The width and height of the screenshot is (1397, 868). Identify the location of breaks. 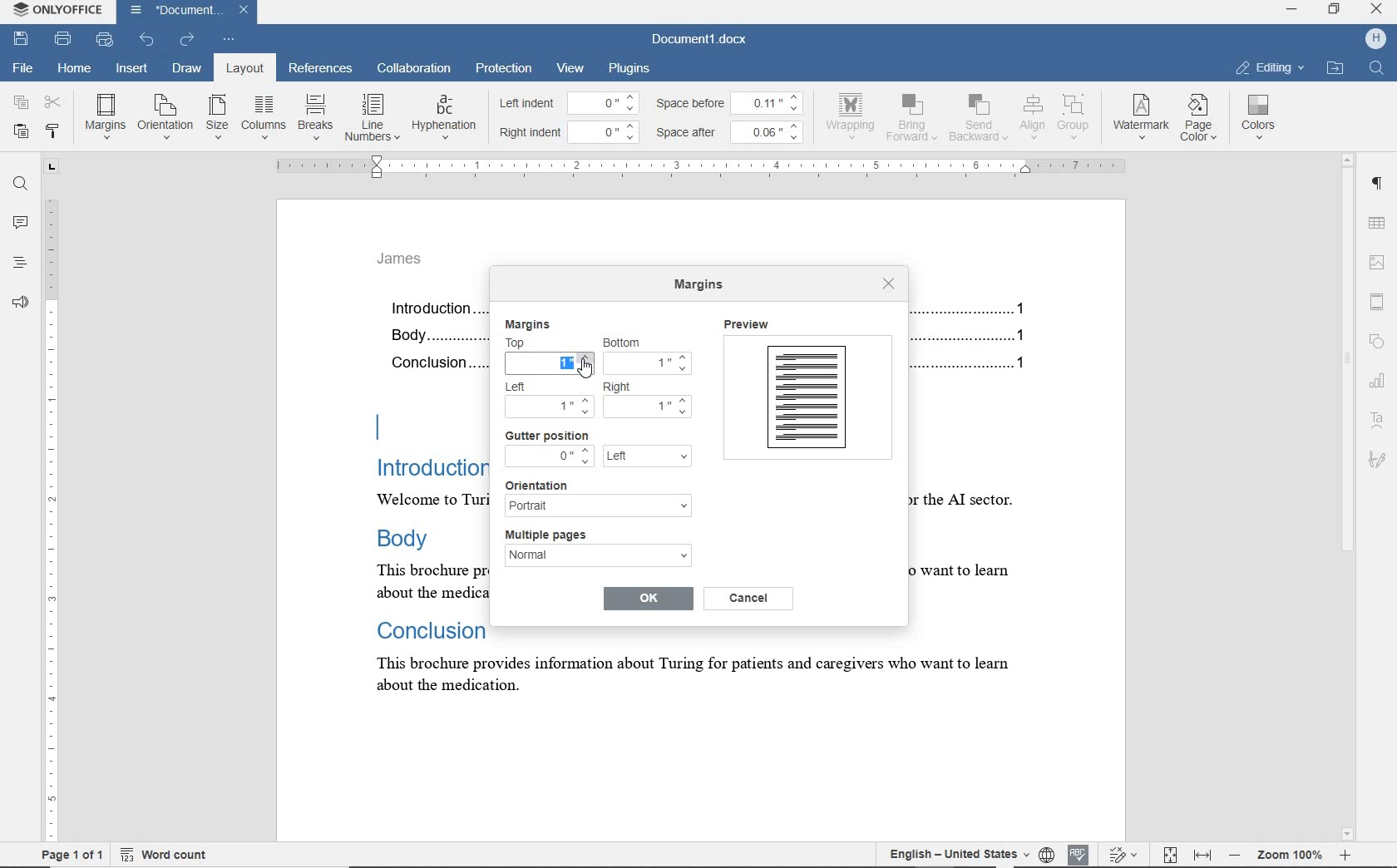
(313, 117).